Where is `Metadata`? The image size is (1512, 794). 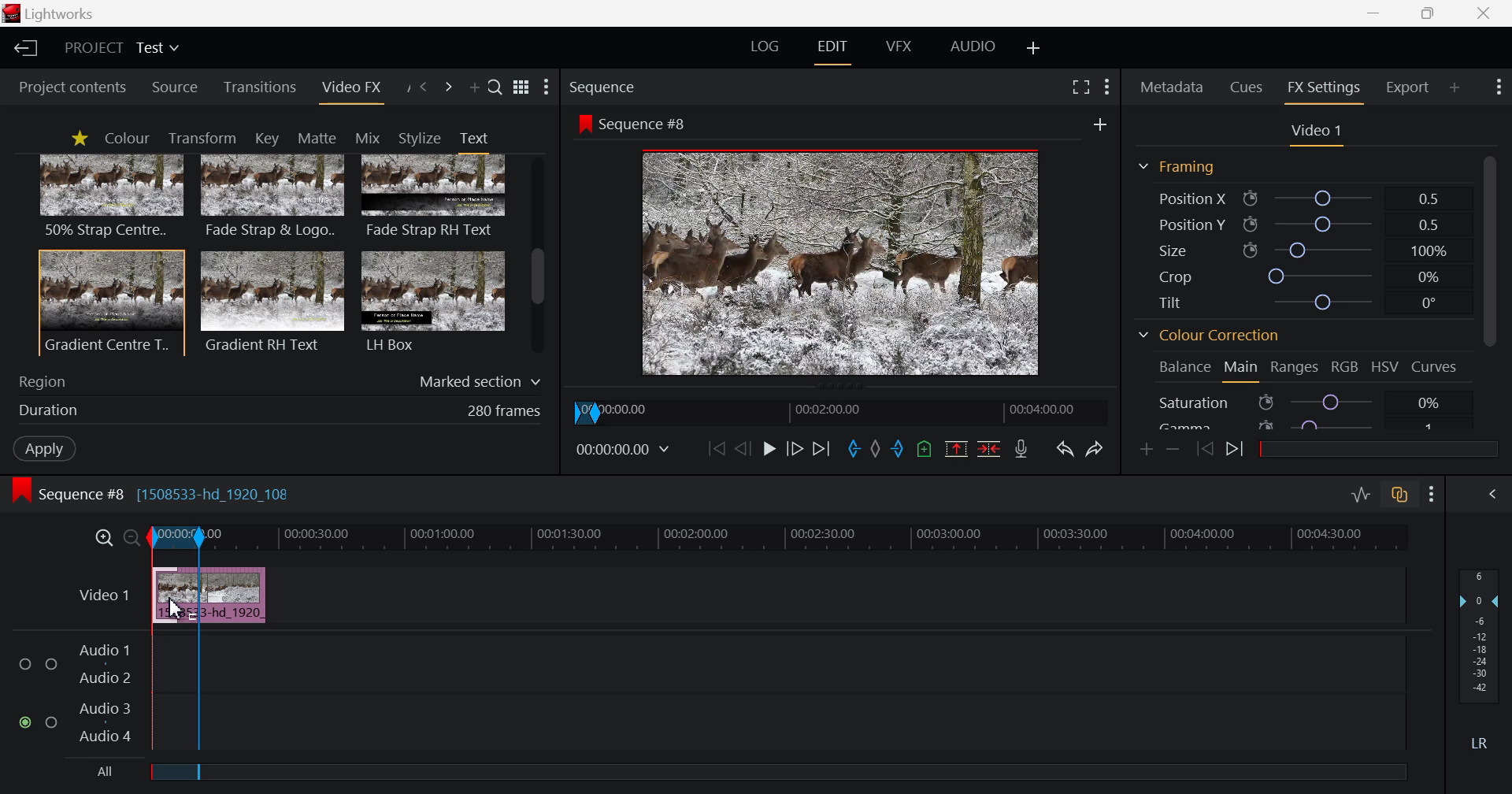 Metadata is located at coordinates (1173, 84).